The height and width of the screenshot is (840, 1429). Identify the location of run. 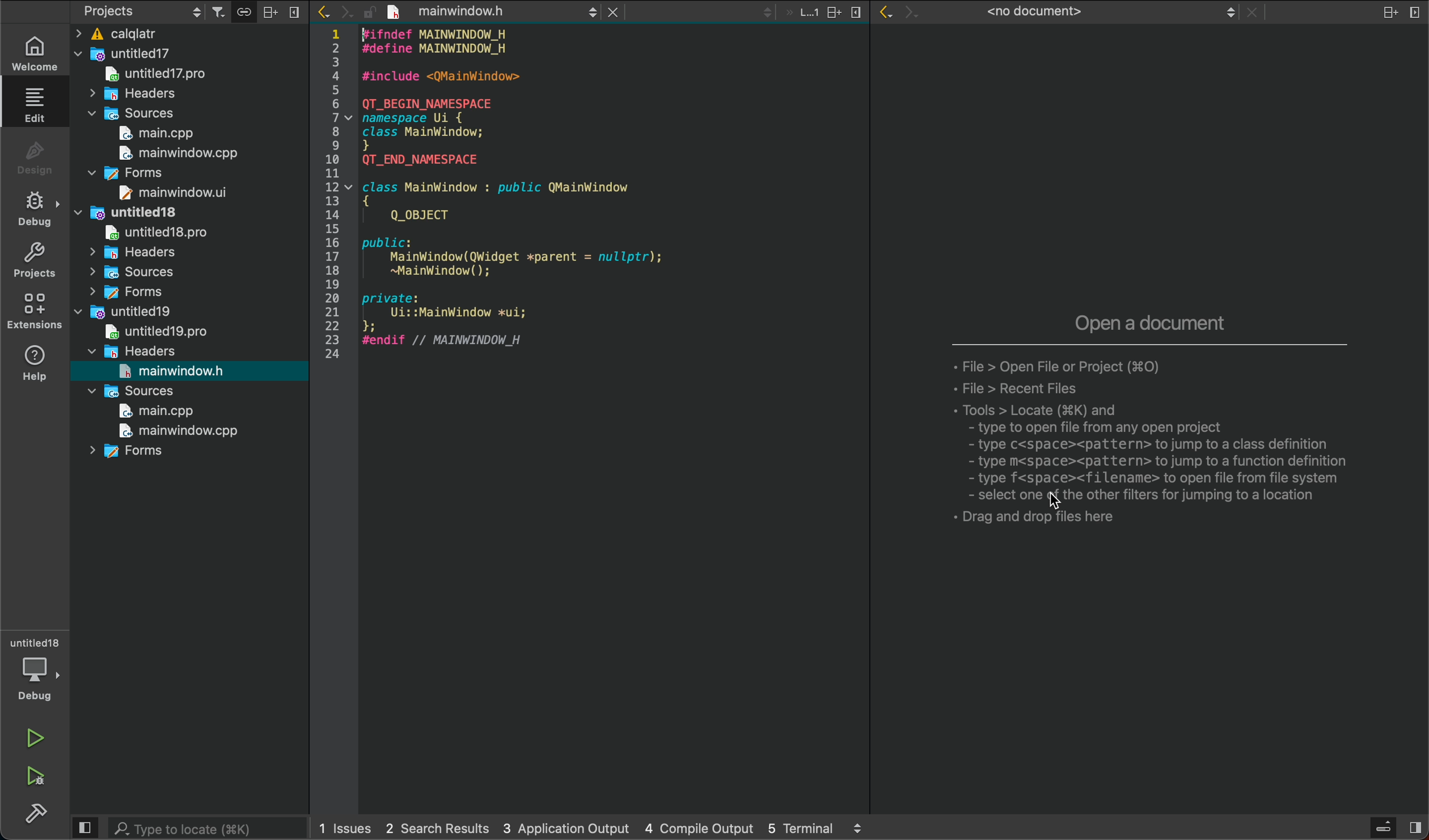
(33, 736).